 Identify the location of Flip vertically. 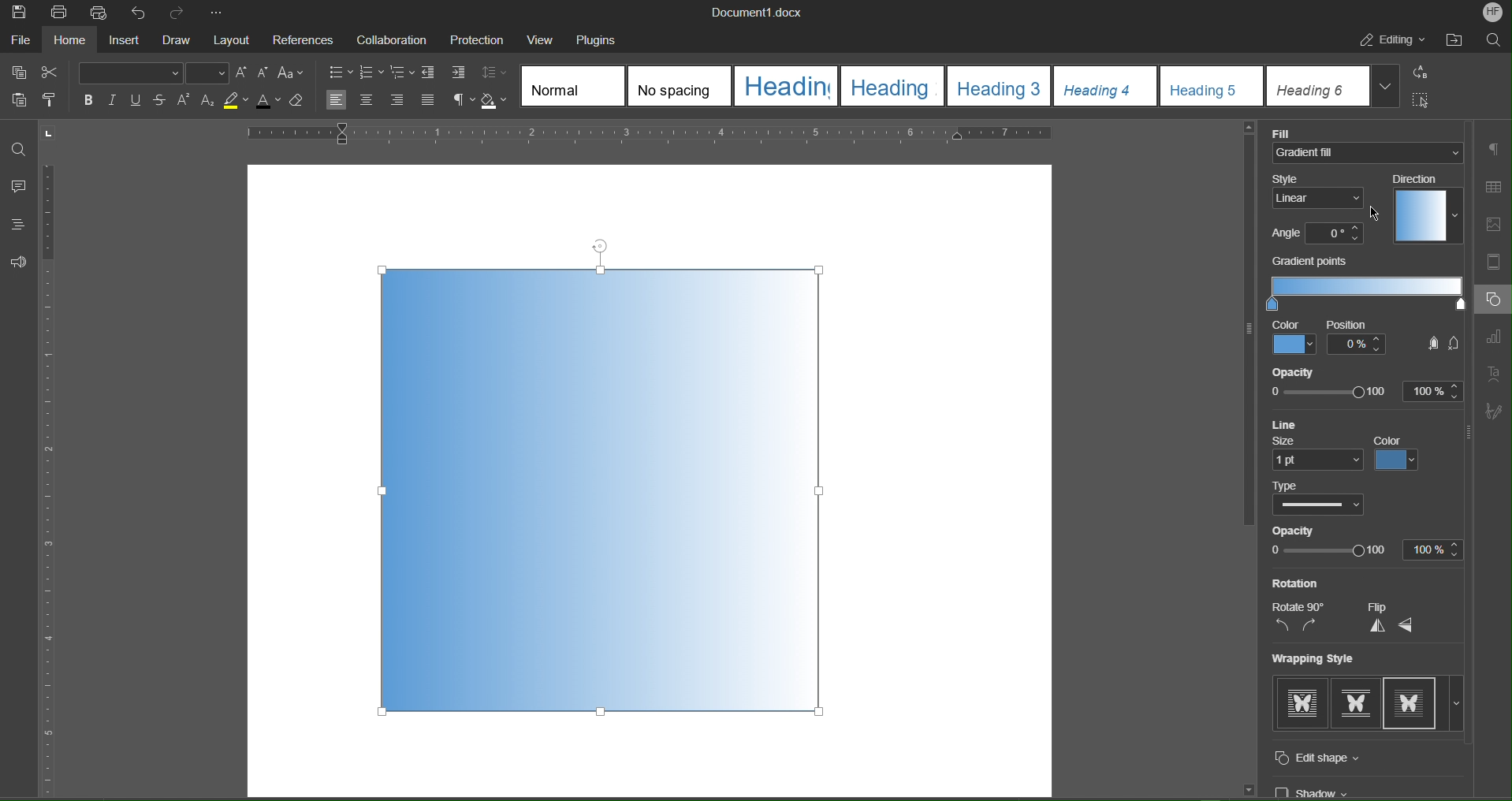
(1372, 627).